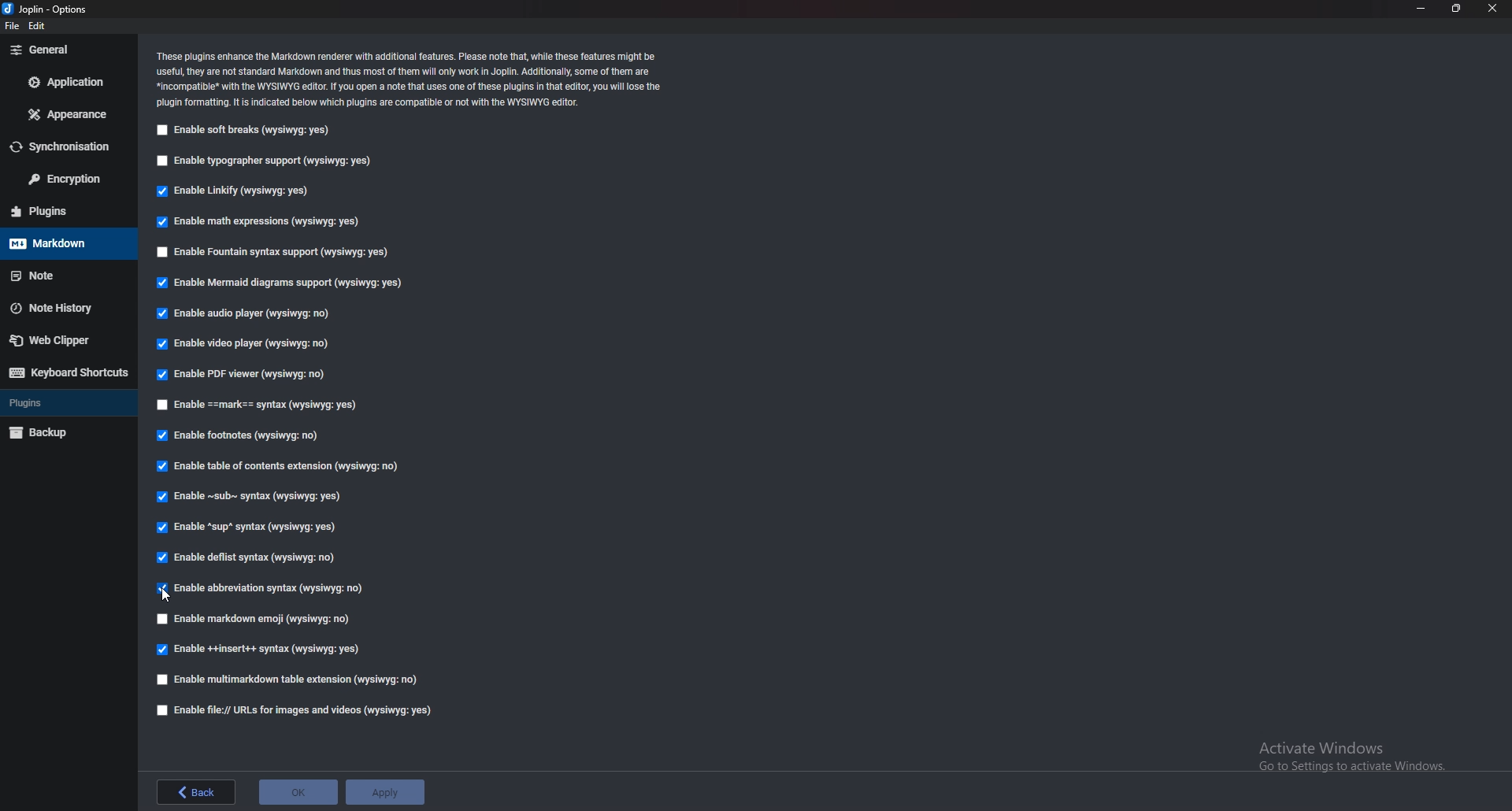 The width and height of the screenshot is (1512, 811). What do you see at coordinates (272, 162) in the screenshot?
I see `Enable typographer support` at bounding box center [272, 162].